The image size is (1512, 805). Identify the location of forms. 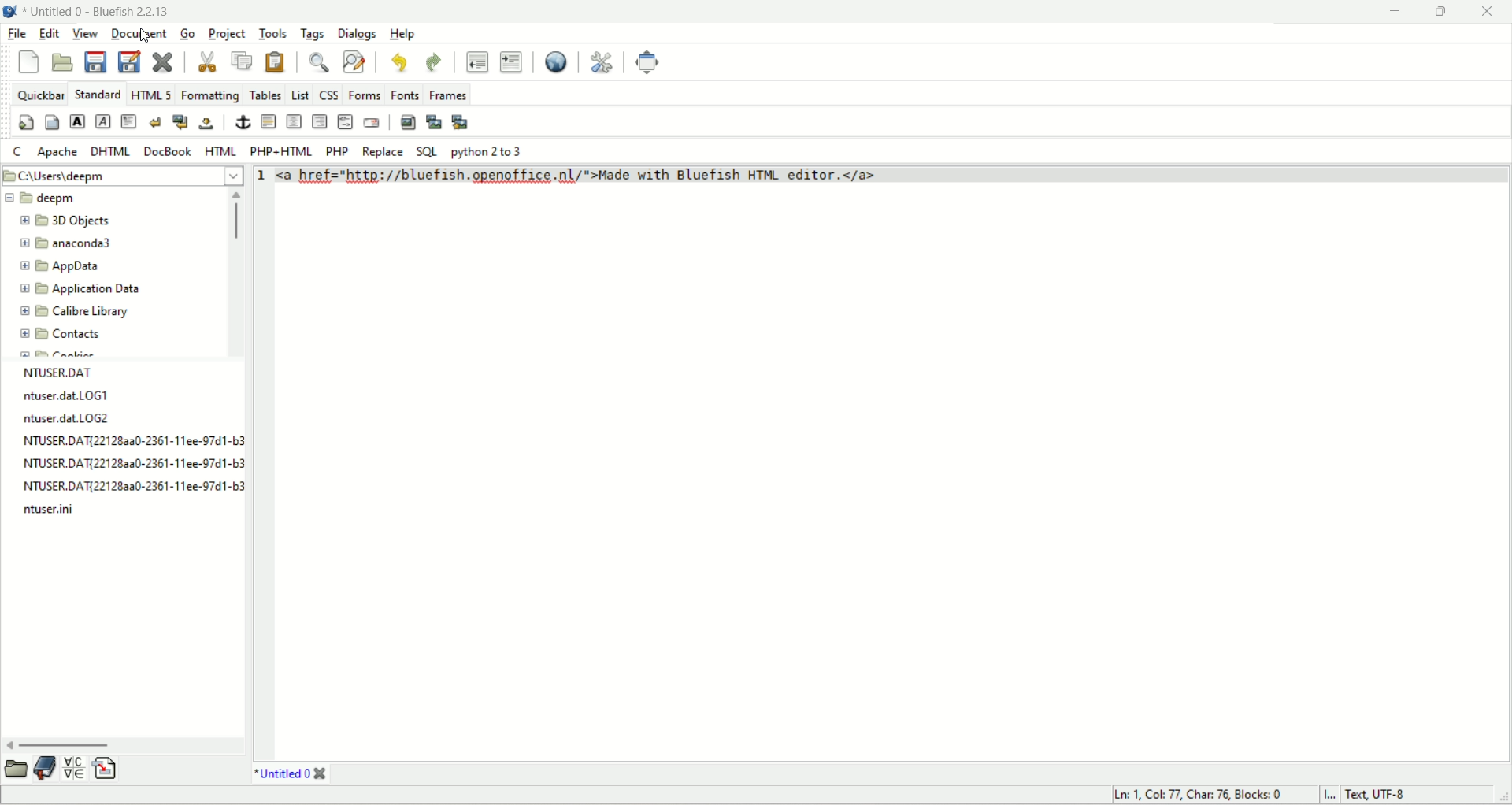
(363, 95).